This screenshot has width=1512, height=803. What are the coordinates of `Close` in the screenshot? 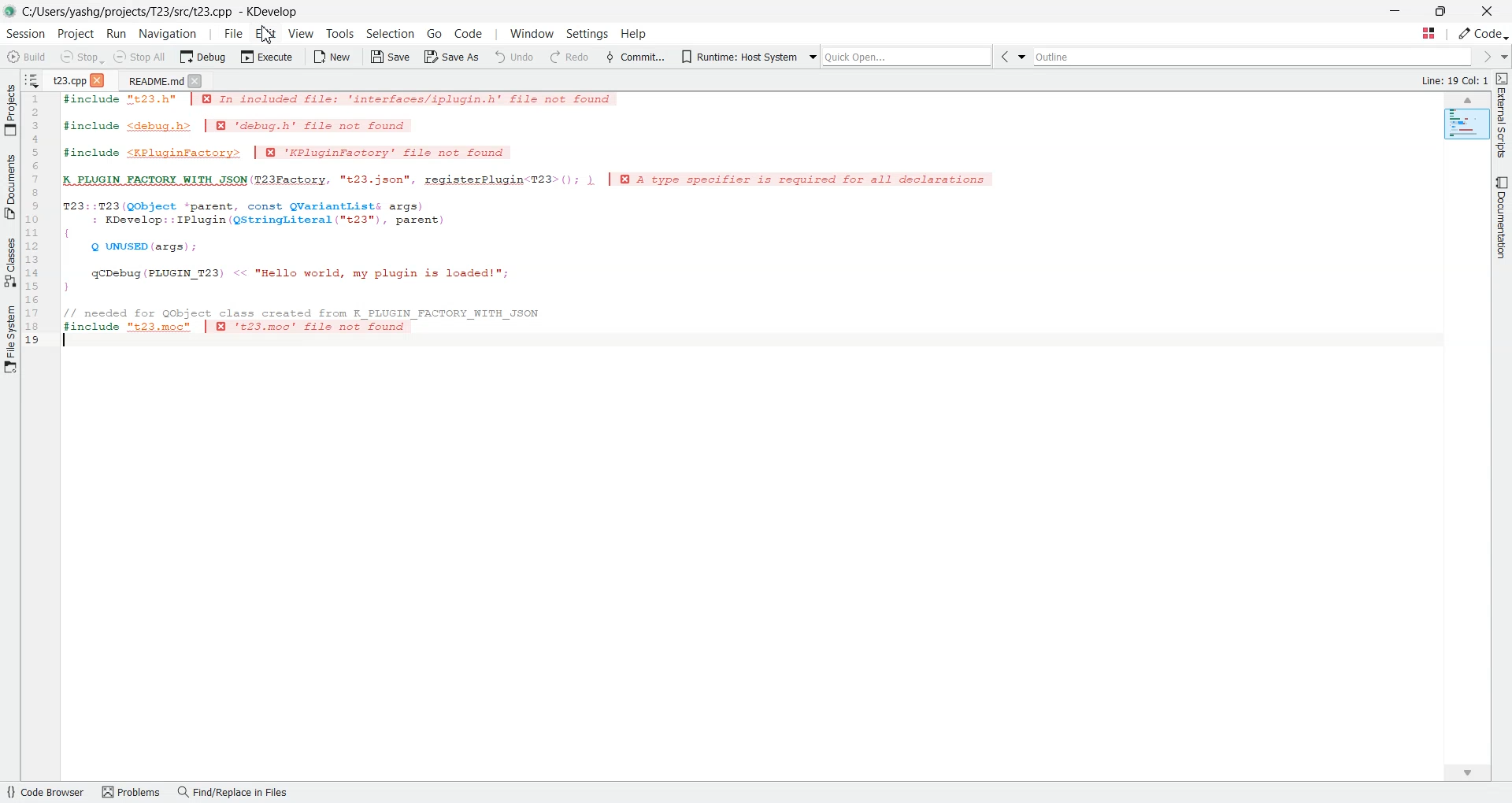 It's located at (196, 80).